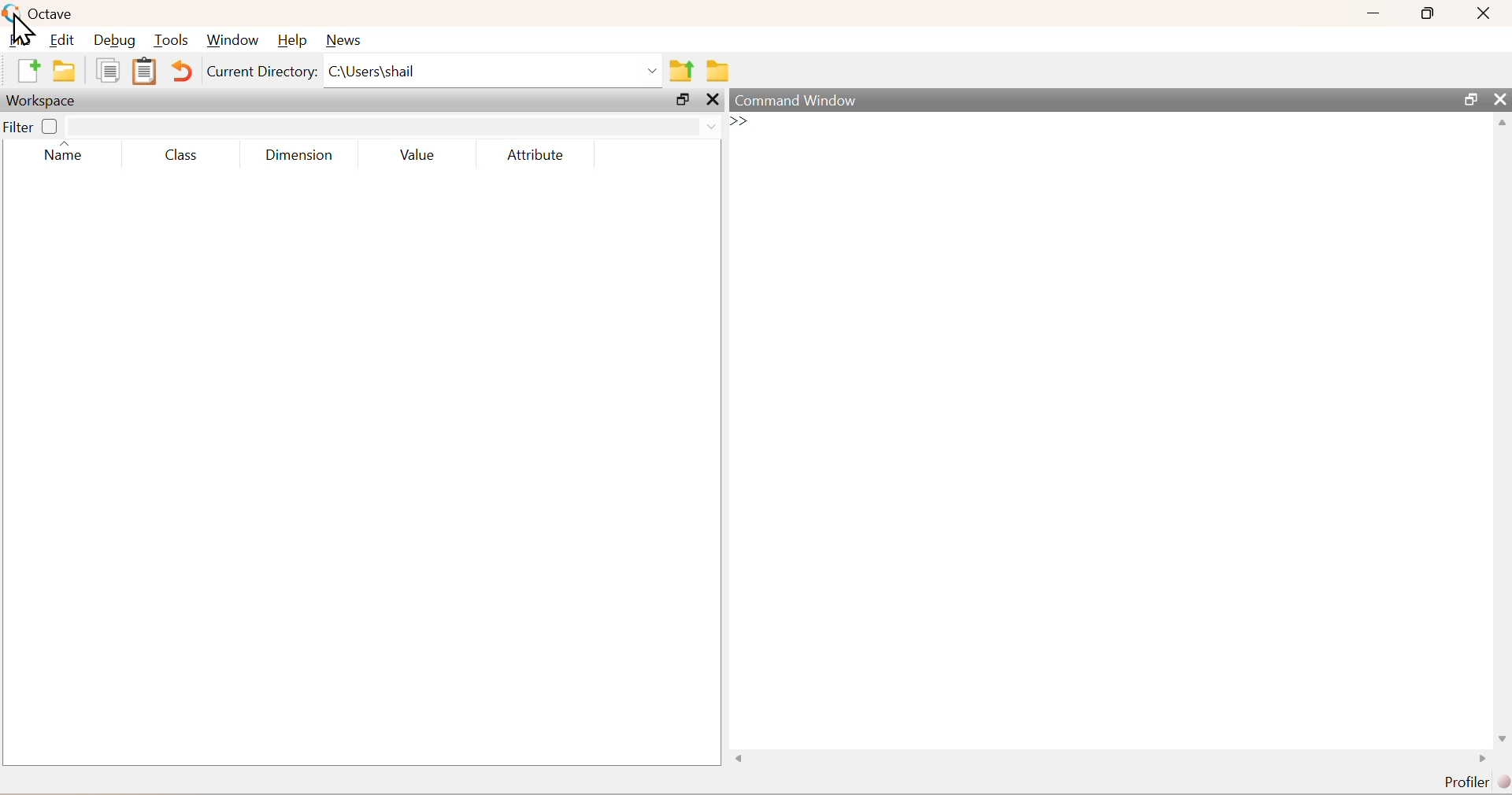 The height and width of the screenshot is (795, 1512). What do you see at coordinates (418, 155) in the screenshot?
I see `Value` at bounding box center [418, 155].